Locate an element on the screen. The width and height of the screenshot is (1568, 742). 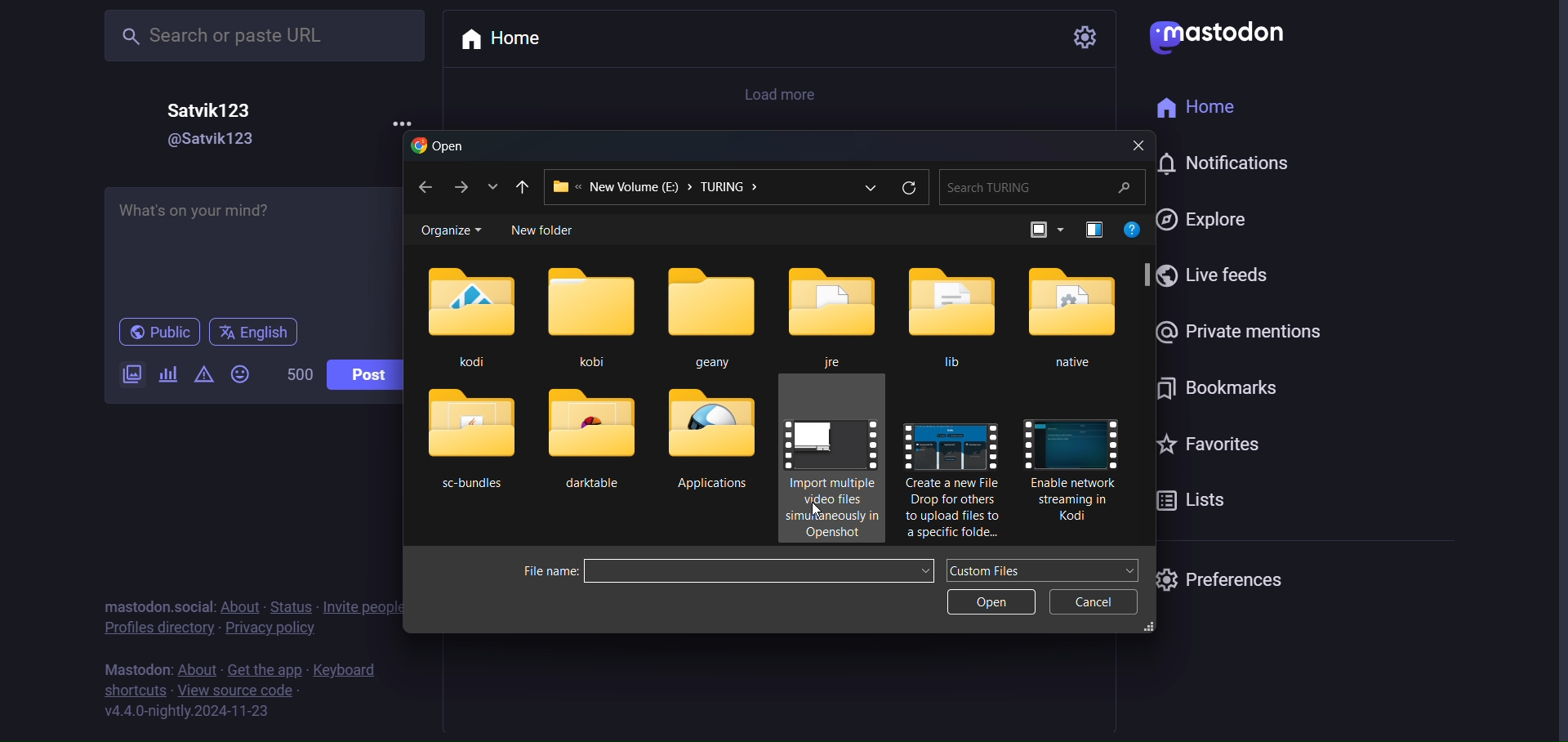
english is located at coordinates (258, 332).